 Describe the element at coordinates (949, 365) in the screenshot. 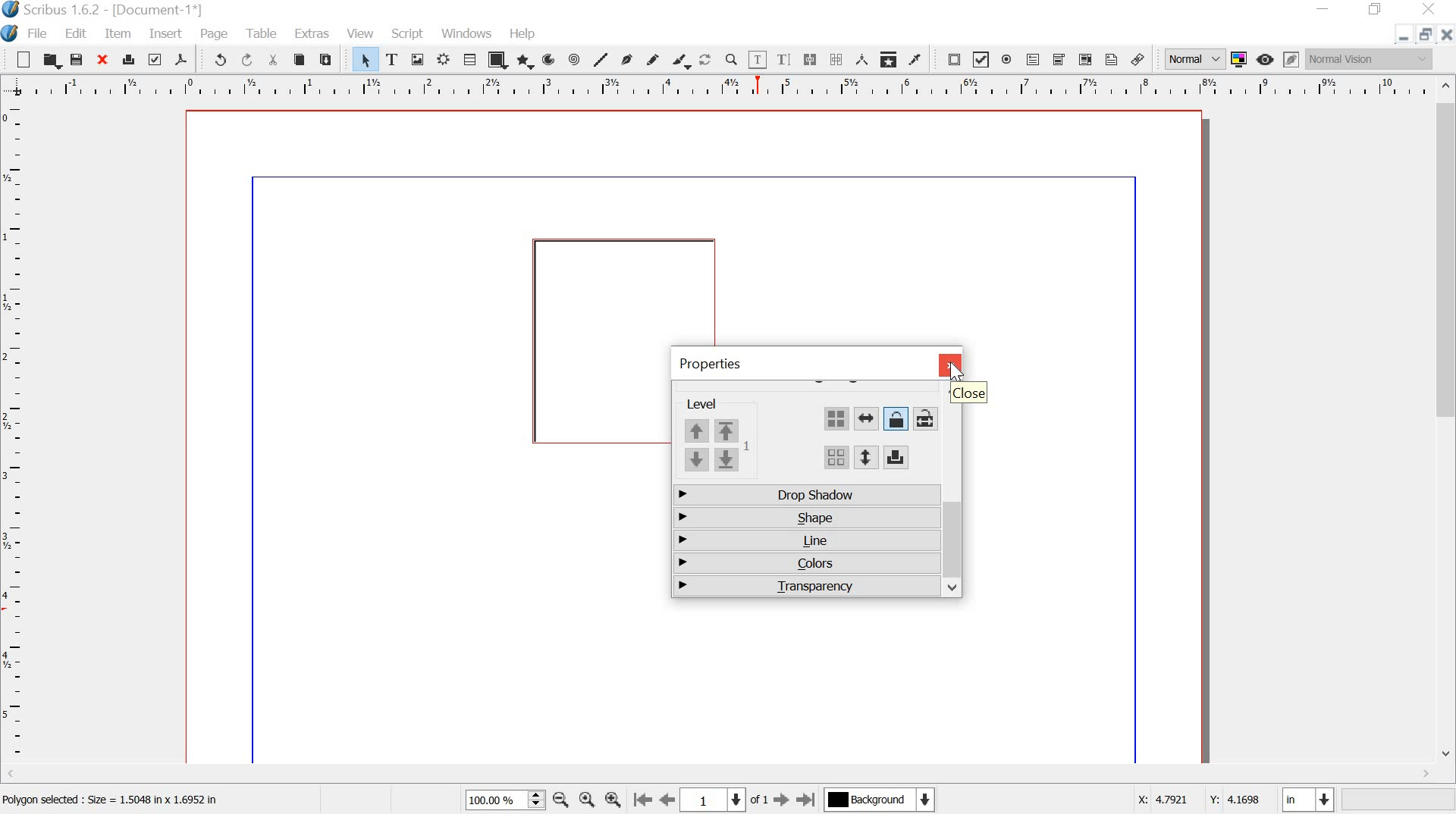

I see `close` at that location.